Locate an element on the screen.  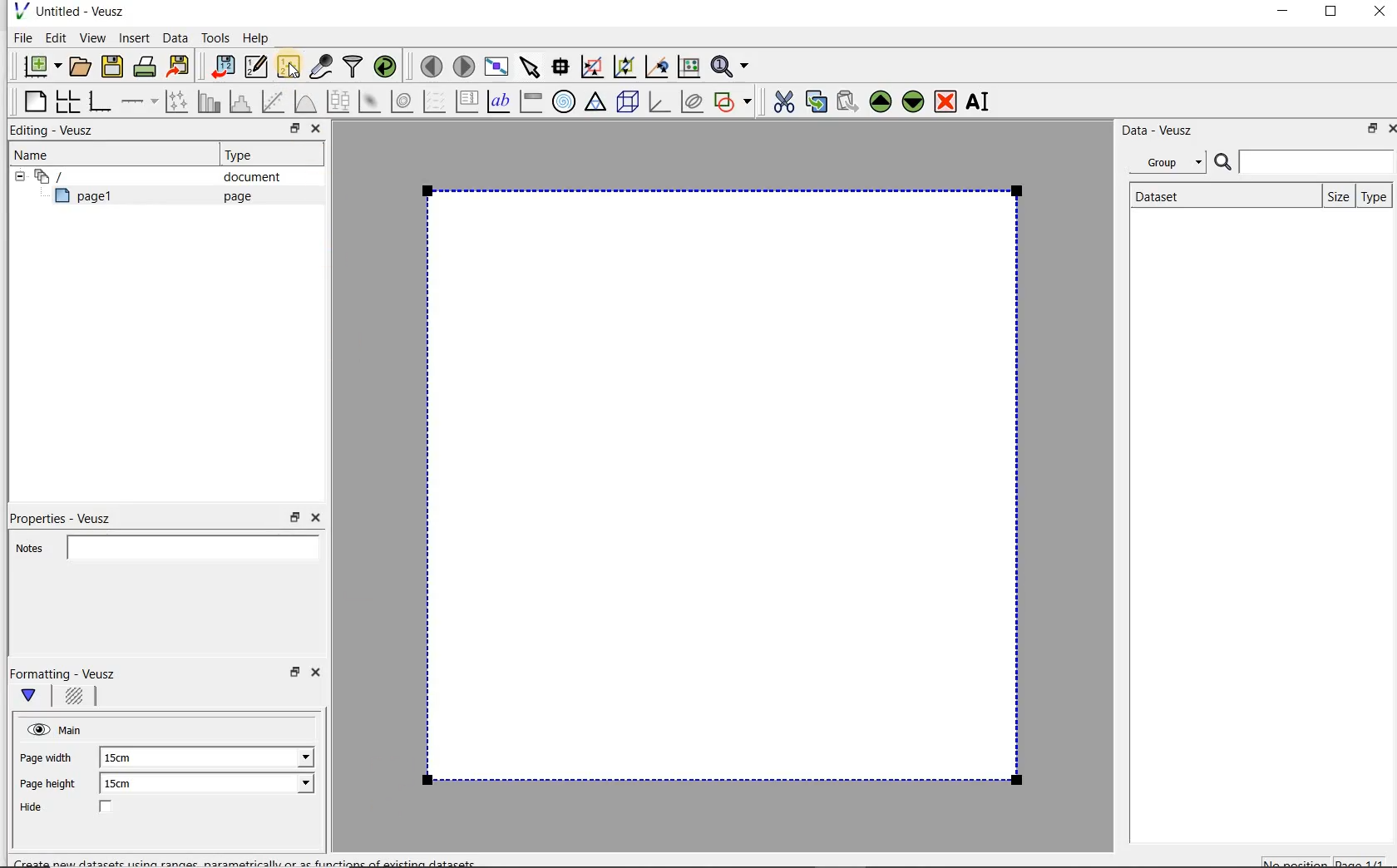
click or draw a rectangle to zoom graph axes is located at coordinates (595, 67).